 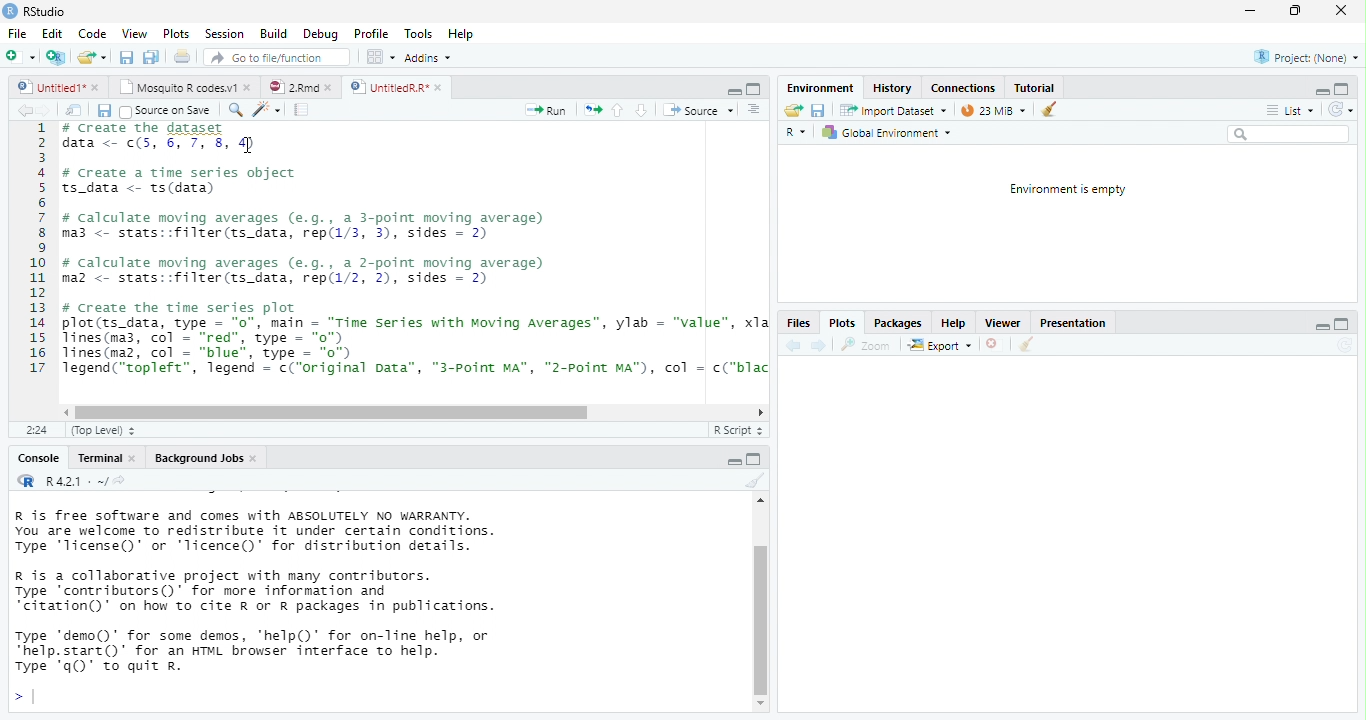 What do you see at coordinates (75, 110) in the screenshot?
I see `show in window` at bounding box center [75, 110].